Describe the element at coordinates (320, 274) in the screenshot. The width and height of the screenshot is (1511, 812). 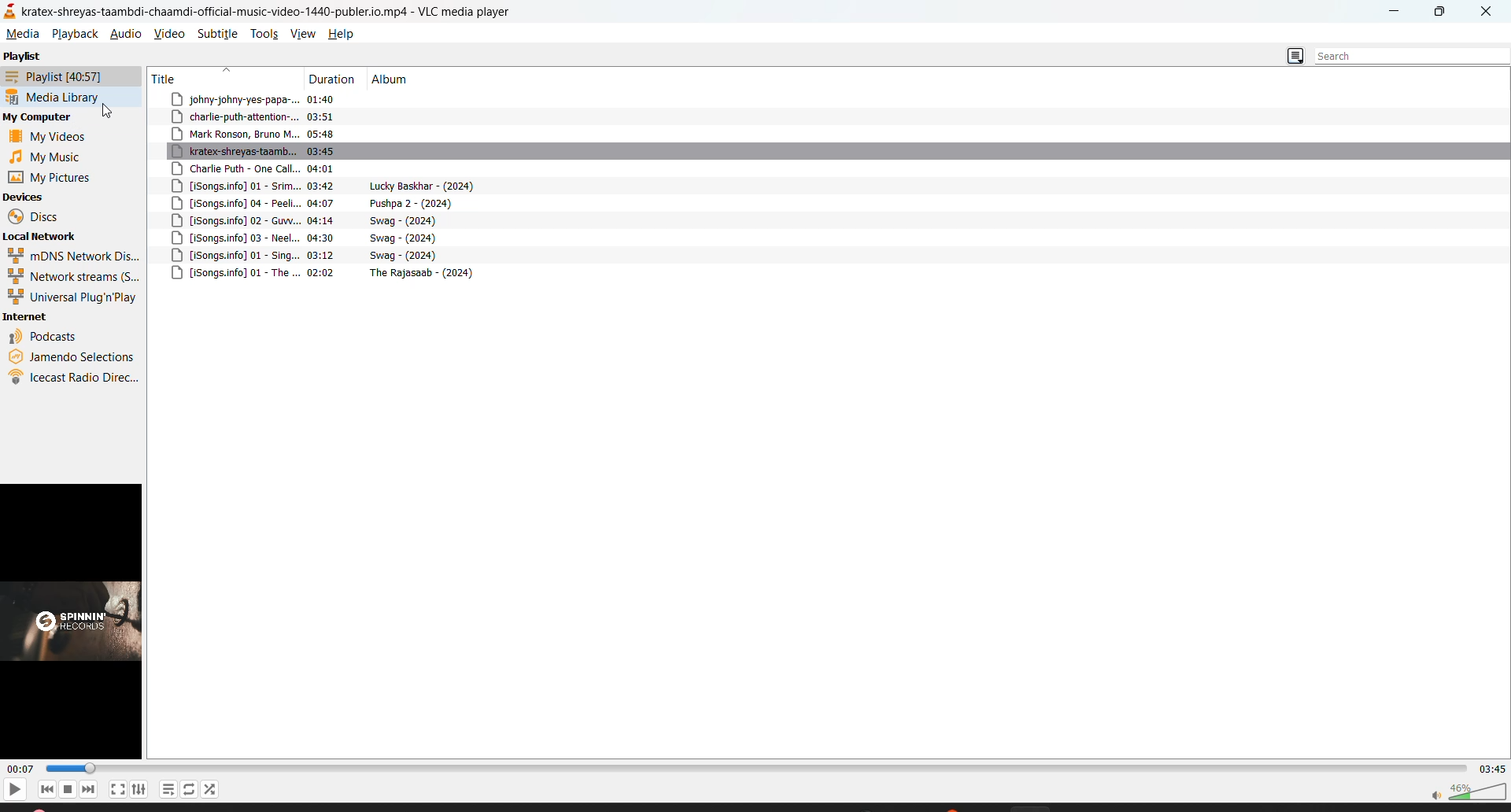
I see `track title , duration and album` at that location.